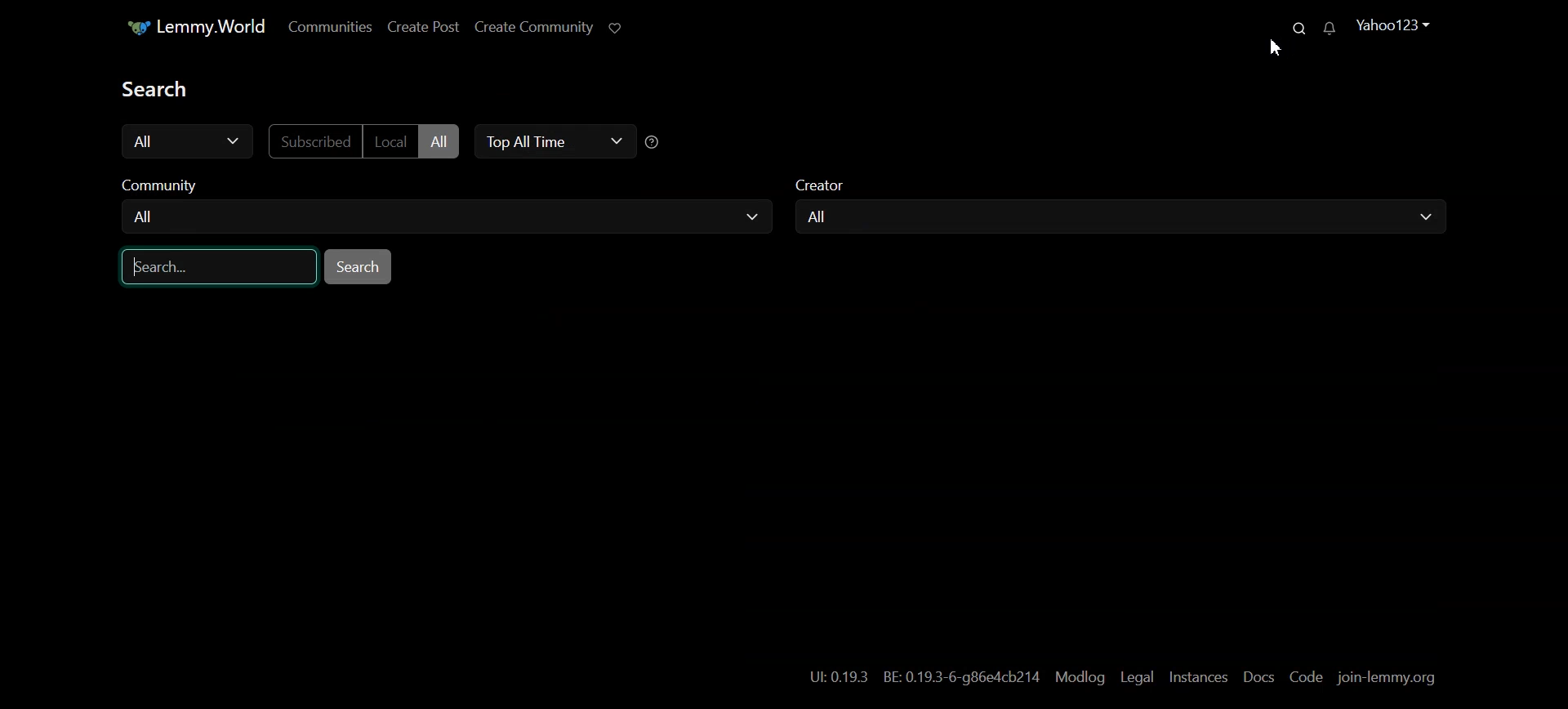  Describe the element at coordinates (314, 141) in the screenshot. I see `Subscribed` at that location.